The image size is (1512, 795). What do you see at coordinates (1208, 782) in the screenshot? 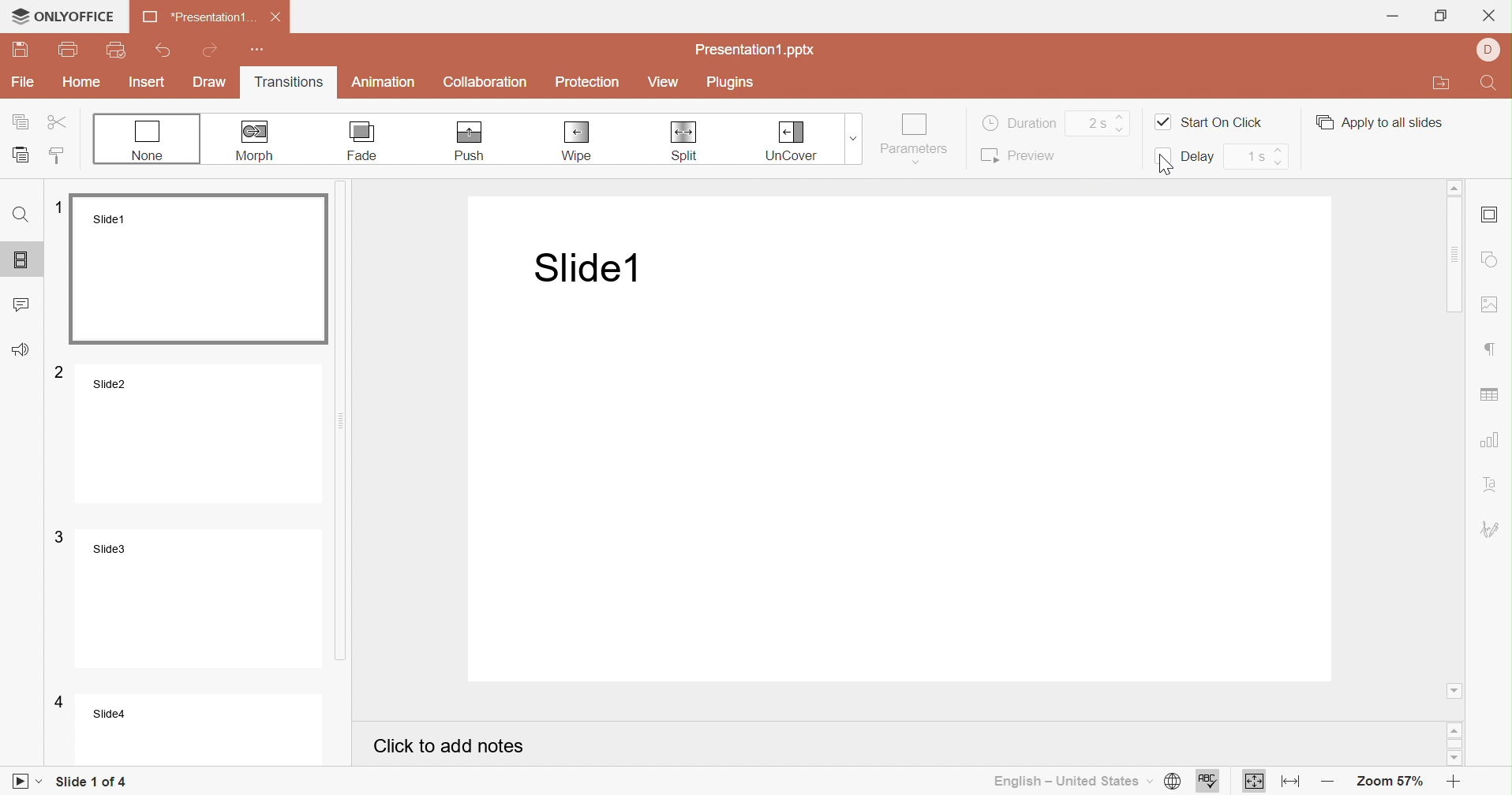
I see `Spell checking` at bounding box center [1208, 782].